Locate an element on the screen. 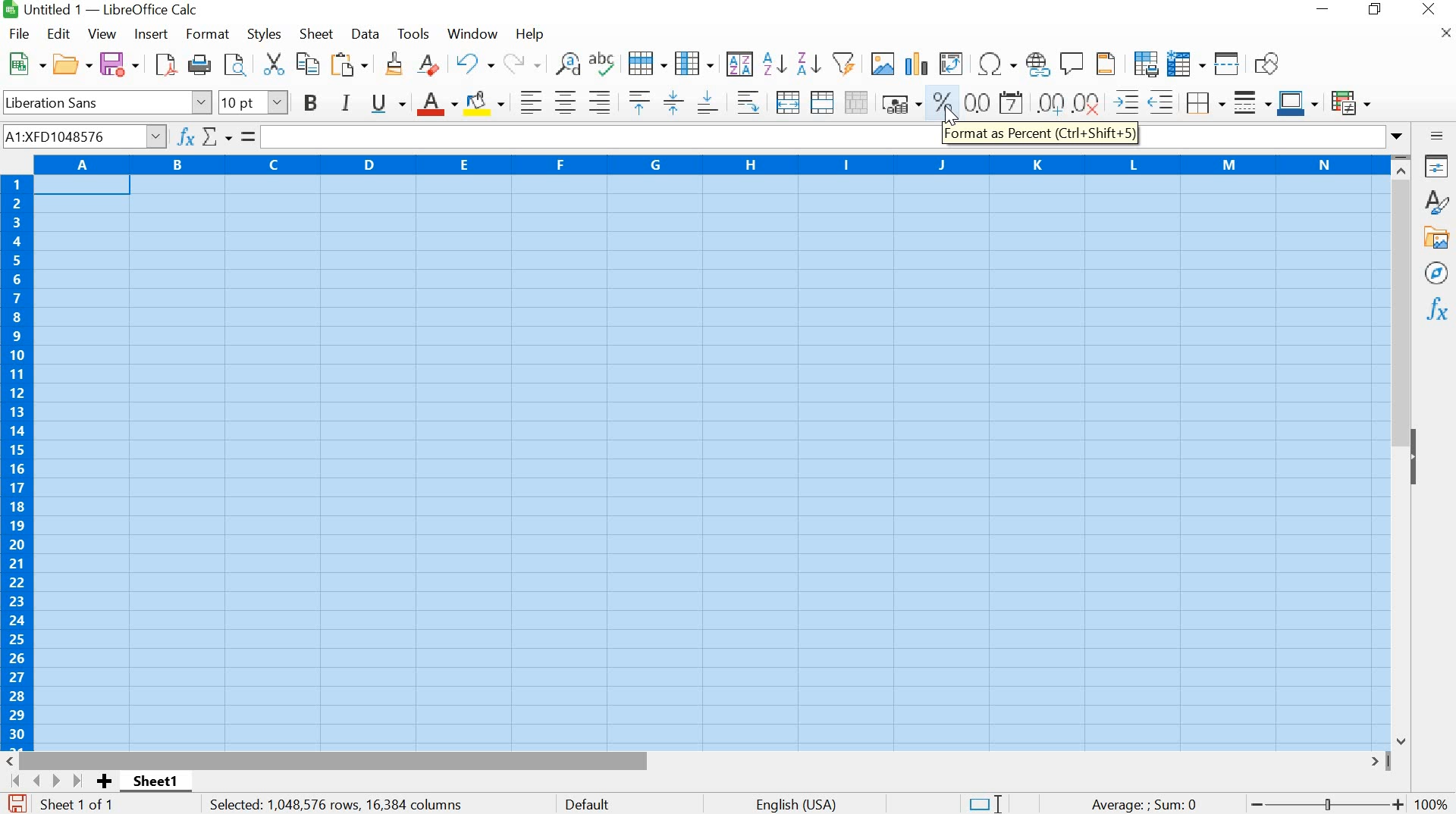 Image resolution: width=1456 pixels, height=814 pixels. Liberation Sans is located at coordinates (106, 102).